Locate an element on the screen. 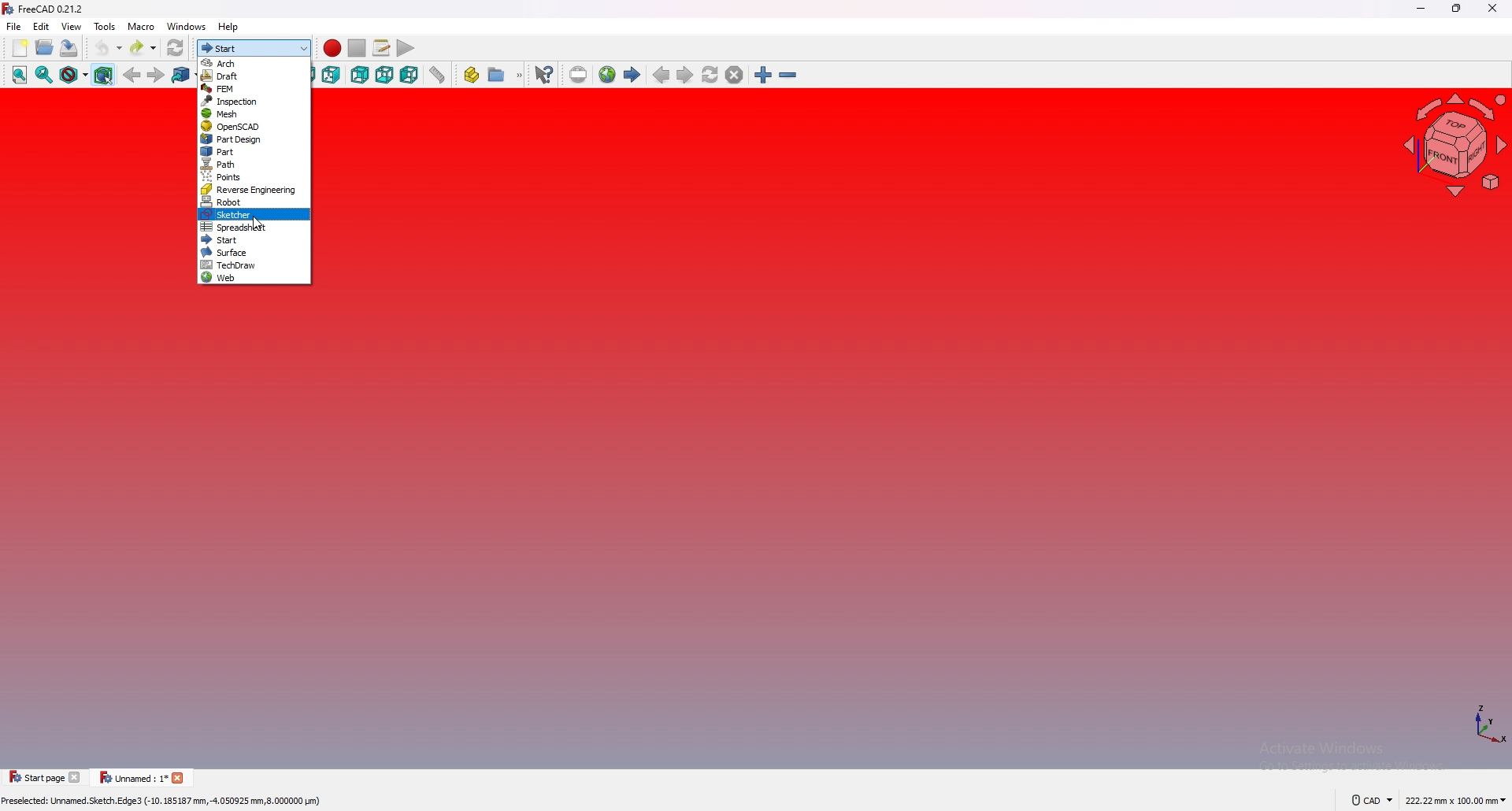  view is located at coordinates (72, 26).